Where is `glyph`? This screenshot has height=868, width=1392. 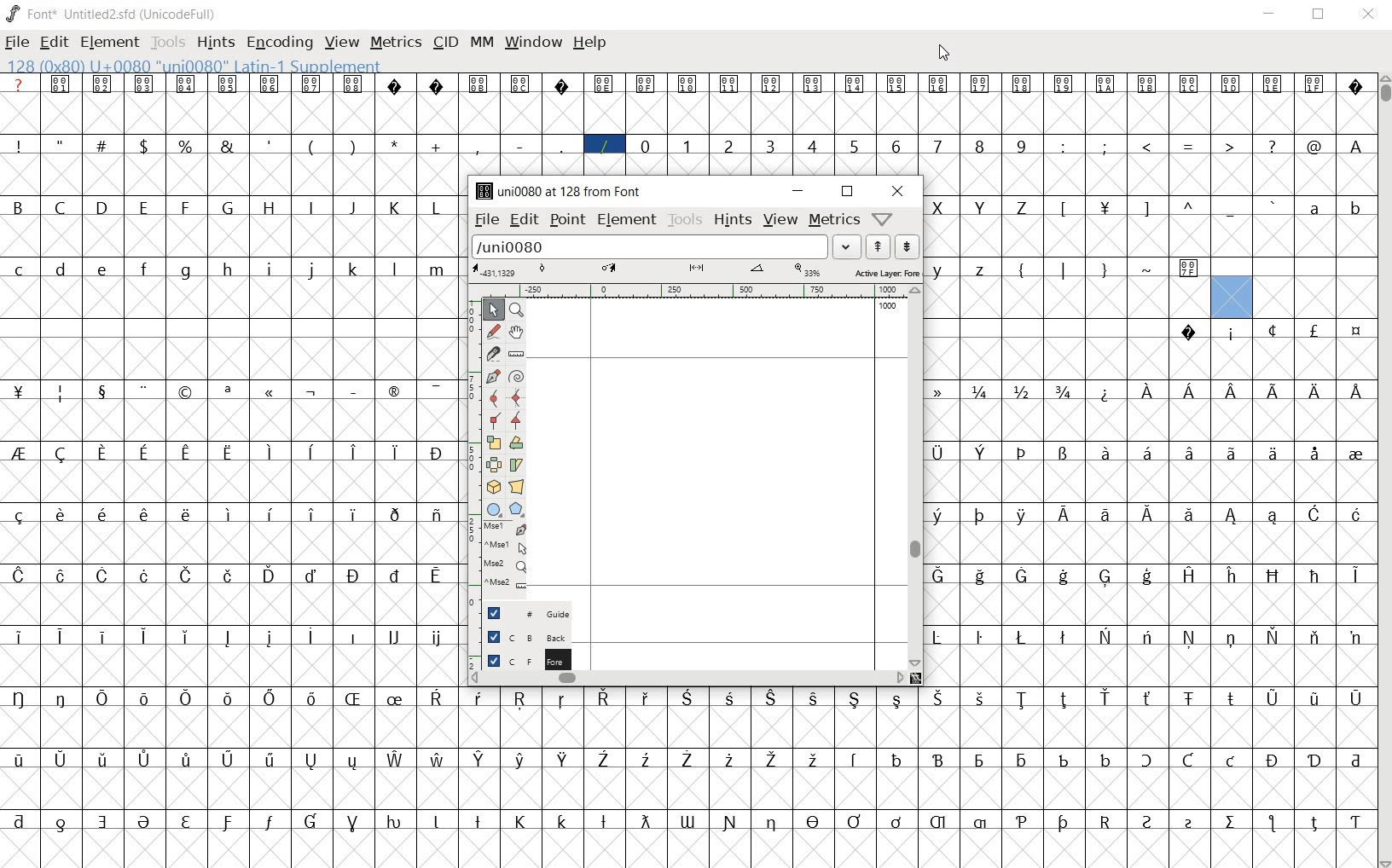 glyph is located at coordinates (187, 514).